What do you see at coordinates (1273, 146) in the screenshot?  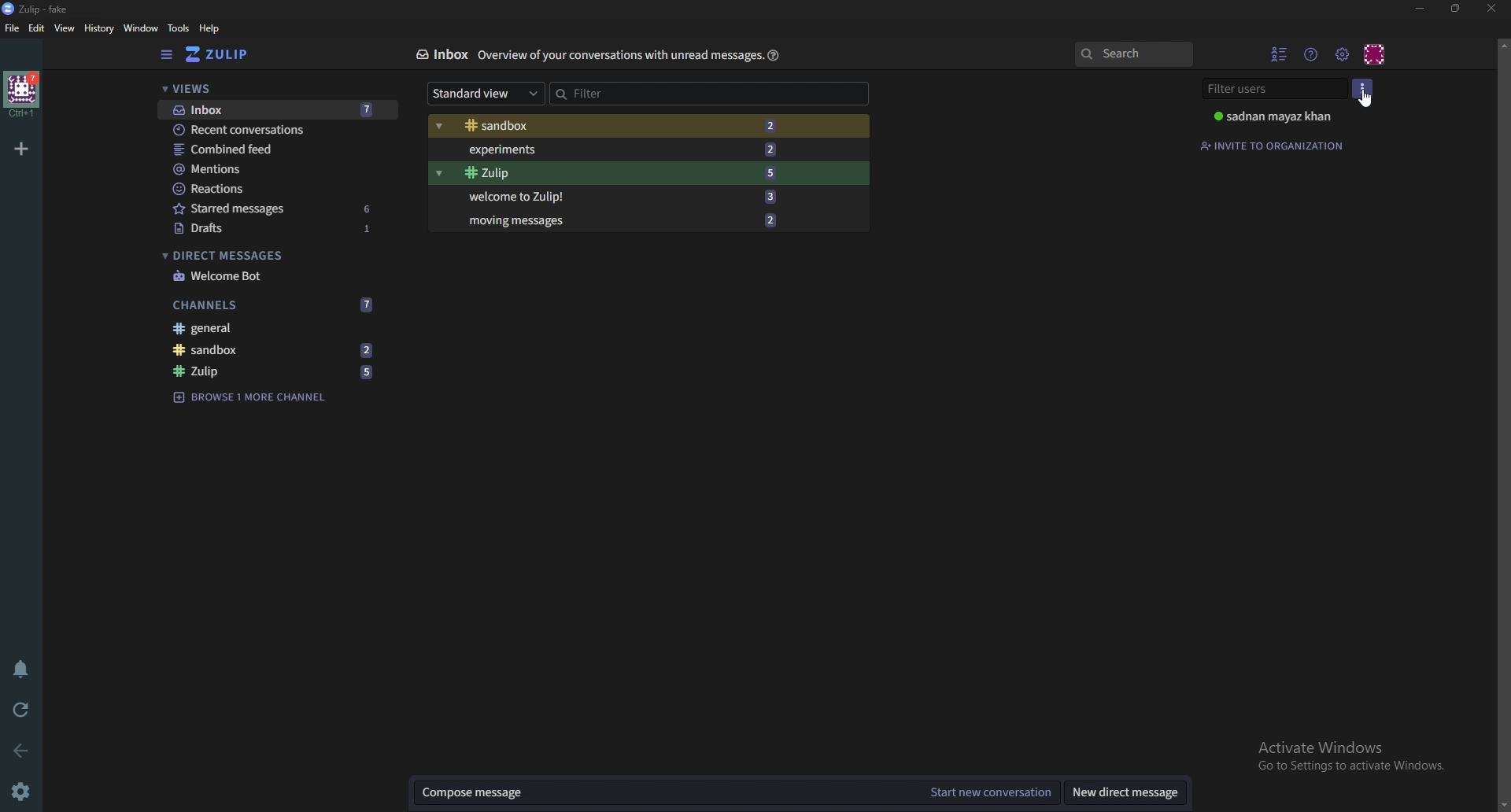 I see `Invite to organization` at bounding box center [1273, 146].